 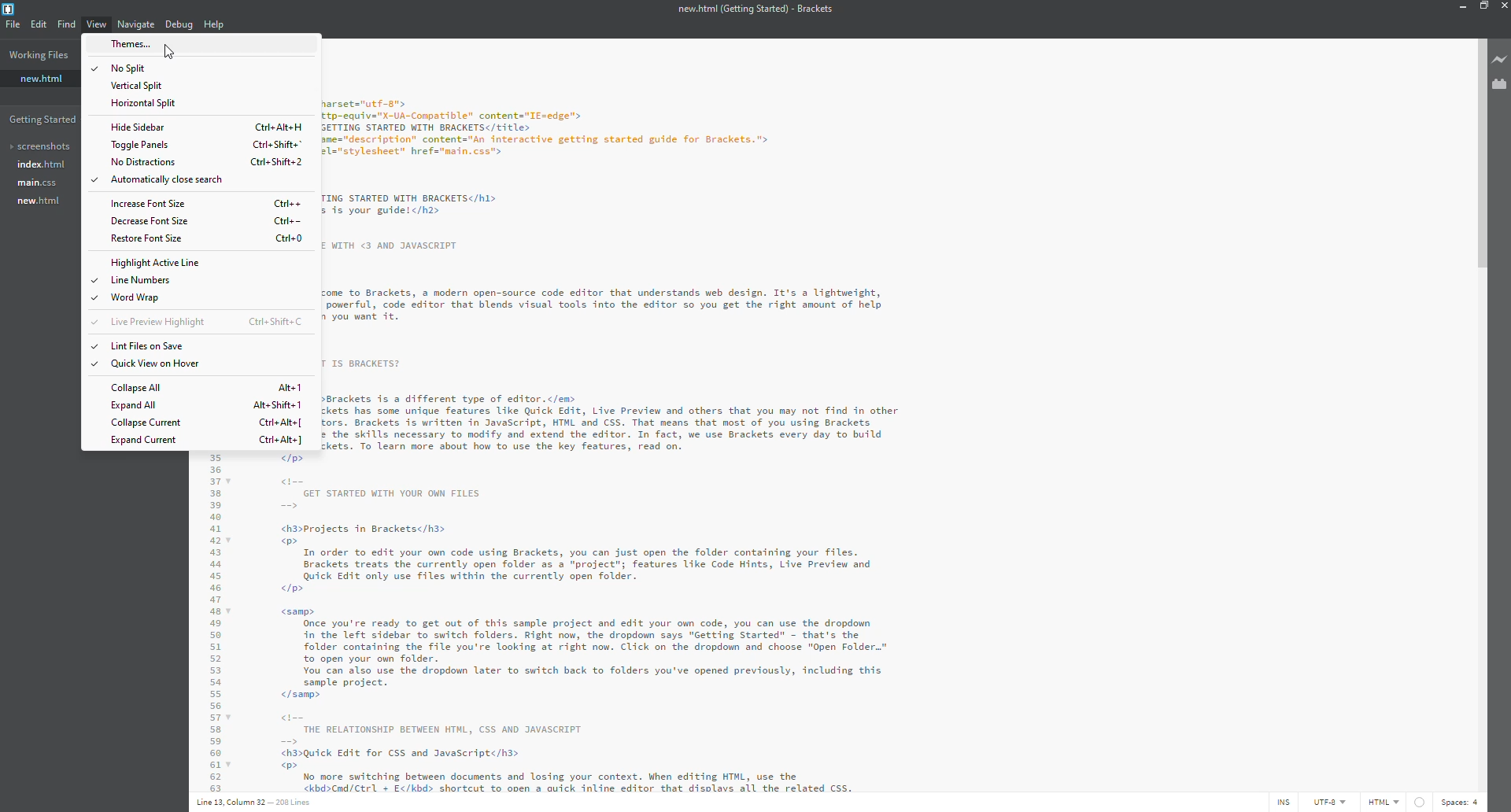 I want to click on view, so click(x=97, y=24).